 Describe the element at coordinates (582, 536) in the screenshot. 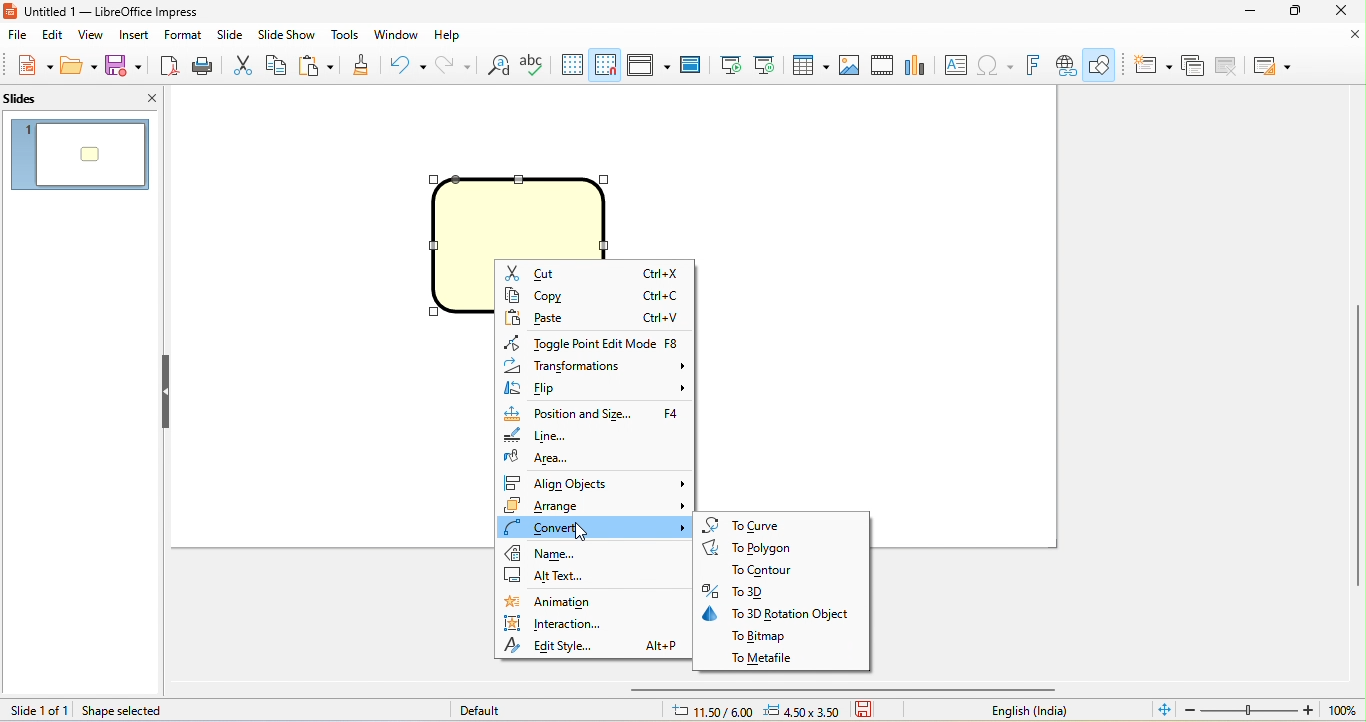

I see `cursor movement` at that location.